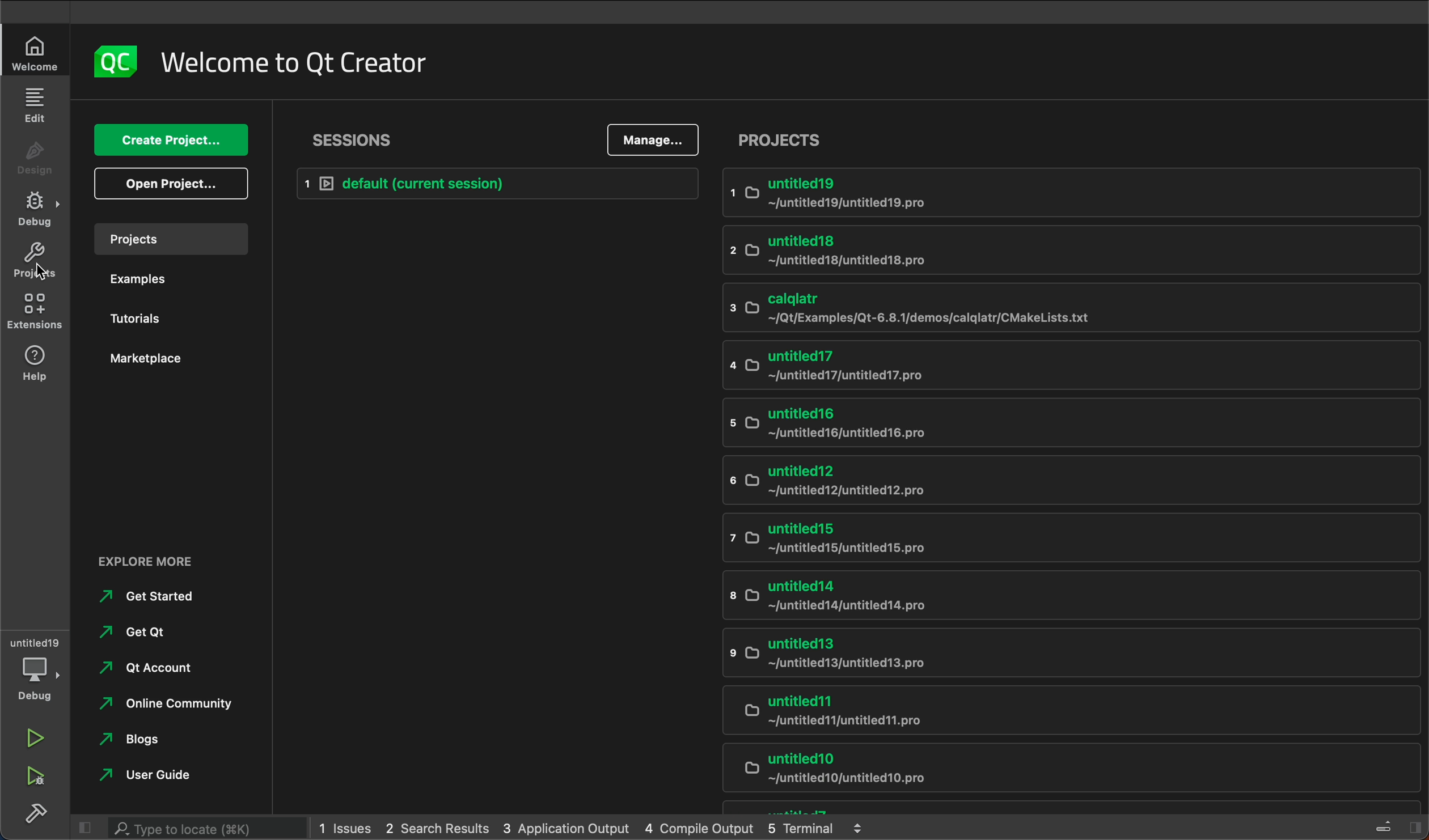 The width and height of the screenshot is (1429, 840). I want to click on calqlatr, so click(1064, 307).